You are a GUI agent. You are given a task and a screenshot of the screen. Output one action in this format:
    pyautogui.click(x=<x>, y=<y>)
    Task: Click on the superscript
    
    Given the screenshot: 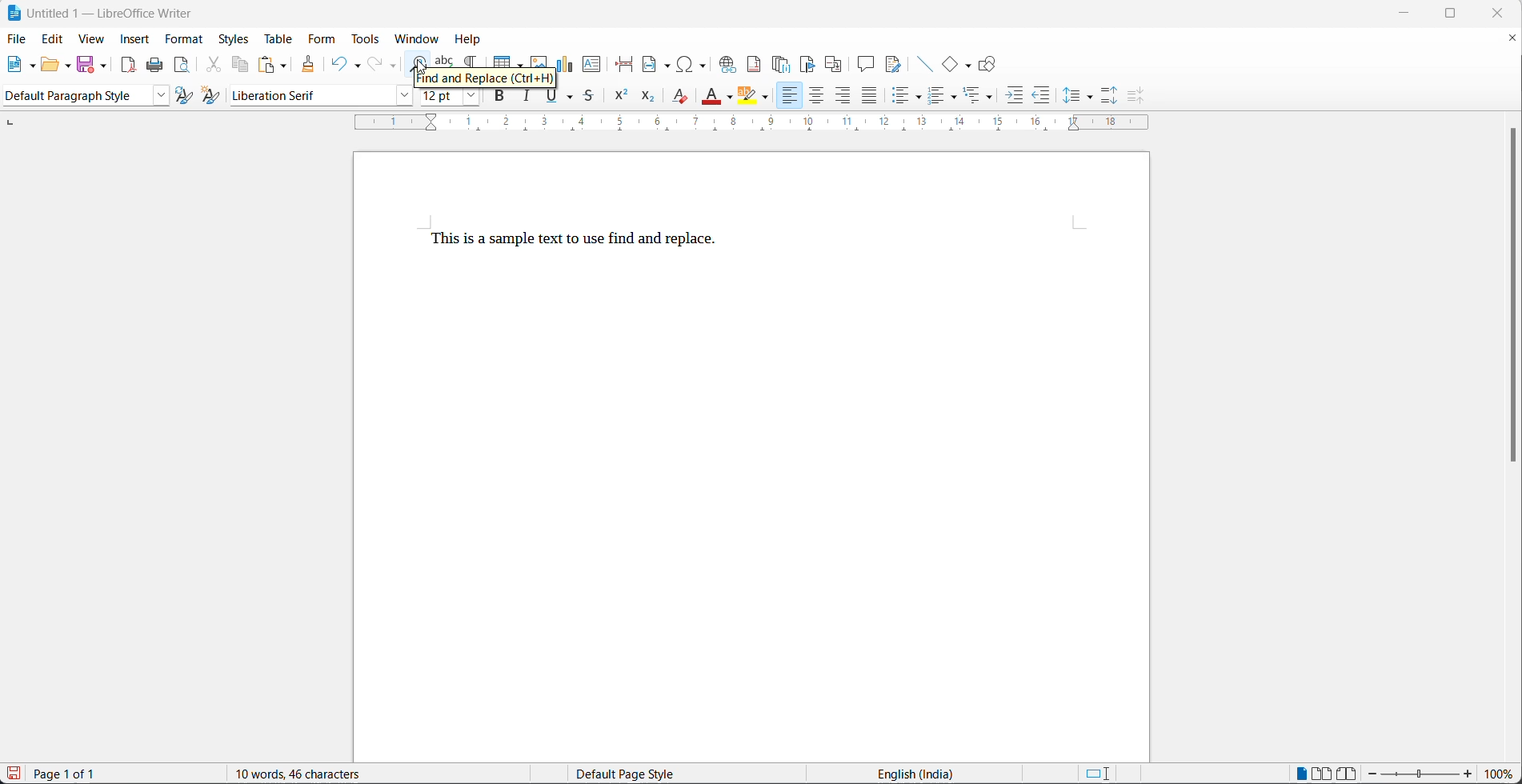 What is the action you would take?
    pyautogui.click(x=620, y=99)
    